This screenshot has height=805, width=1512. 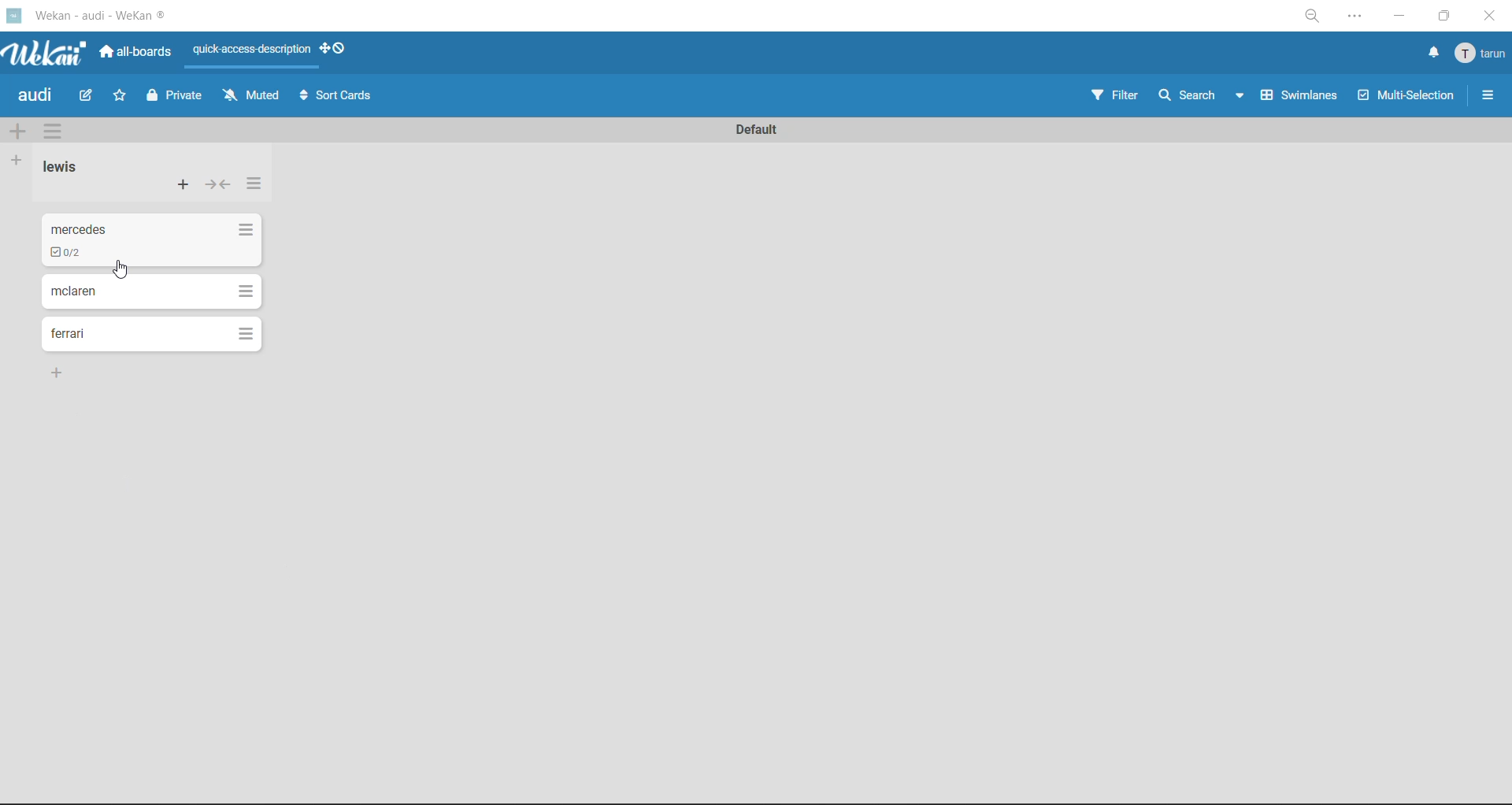 What do you see at coordinates (1479, 54) in the screenshot?
I see `menu` at bounding box center [1479, 54].